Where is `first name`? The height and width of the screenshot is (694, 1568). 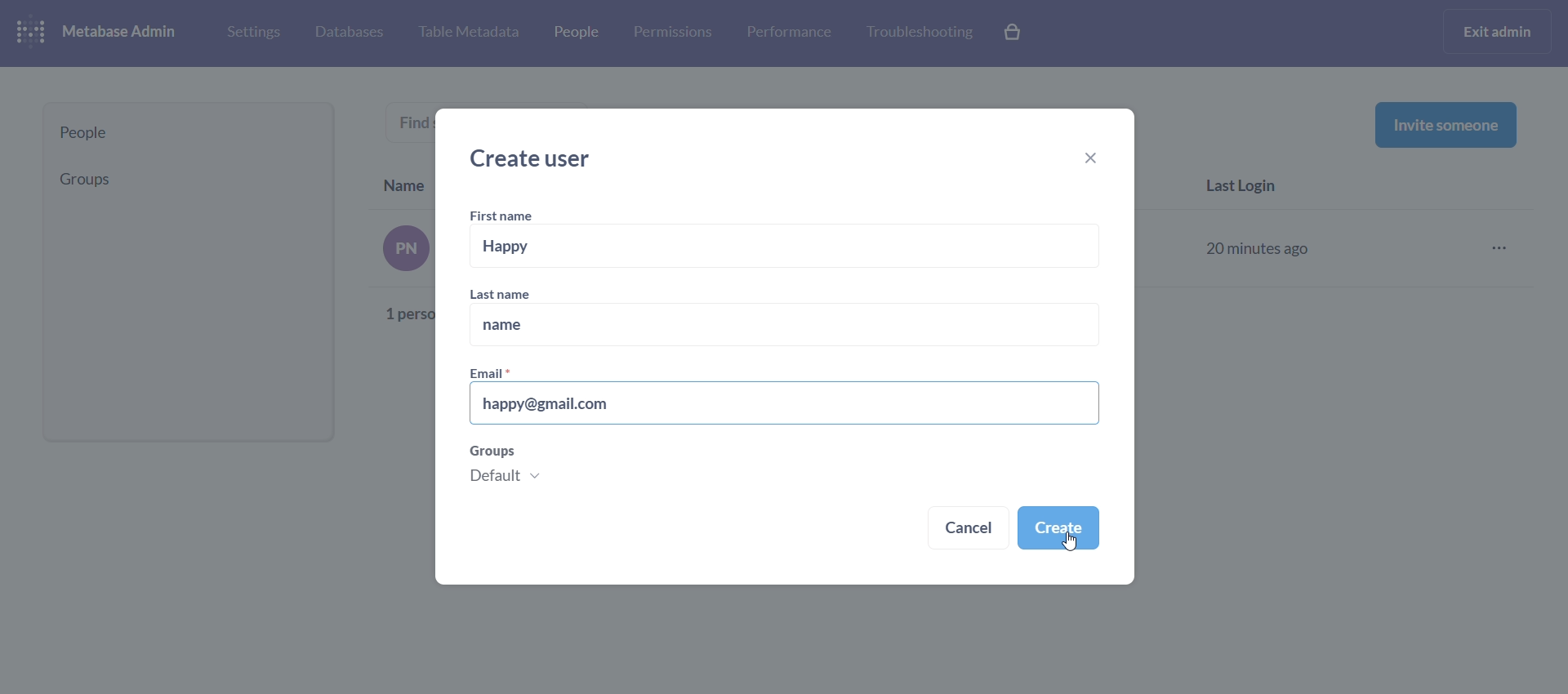
first name is located at coordinates (505, 216).